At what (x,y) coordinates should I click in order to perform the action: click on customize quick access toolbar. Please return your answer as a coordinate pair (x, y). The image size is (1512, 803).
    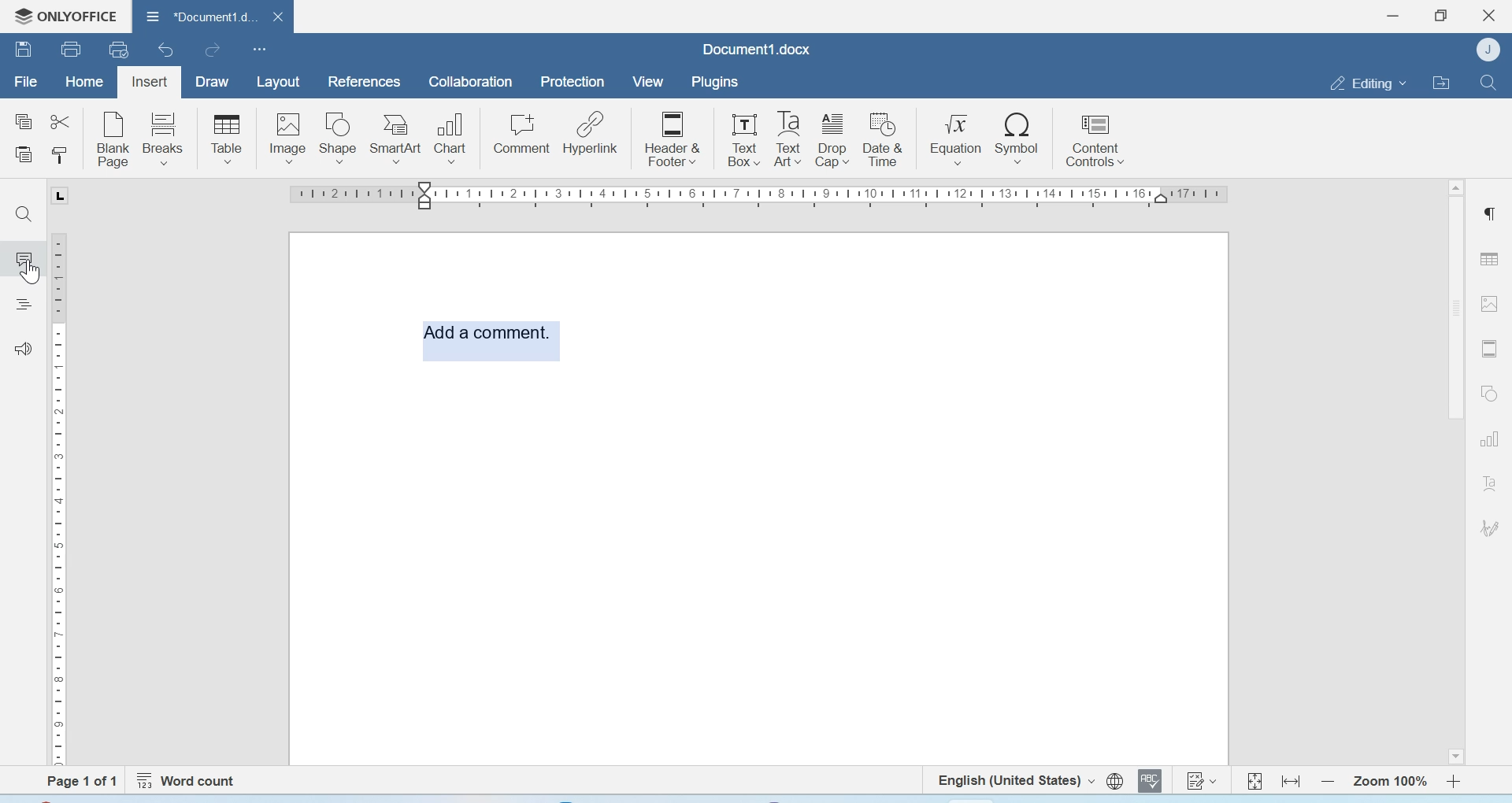
    Looking at the image, I should click on (260, 49).